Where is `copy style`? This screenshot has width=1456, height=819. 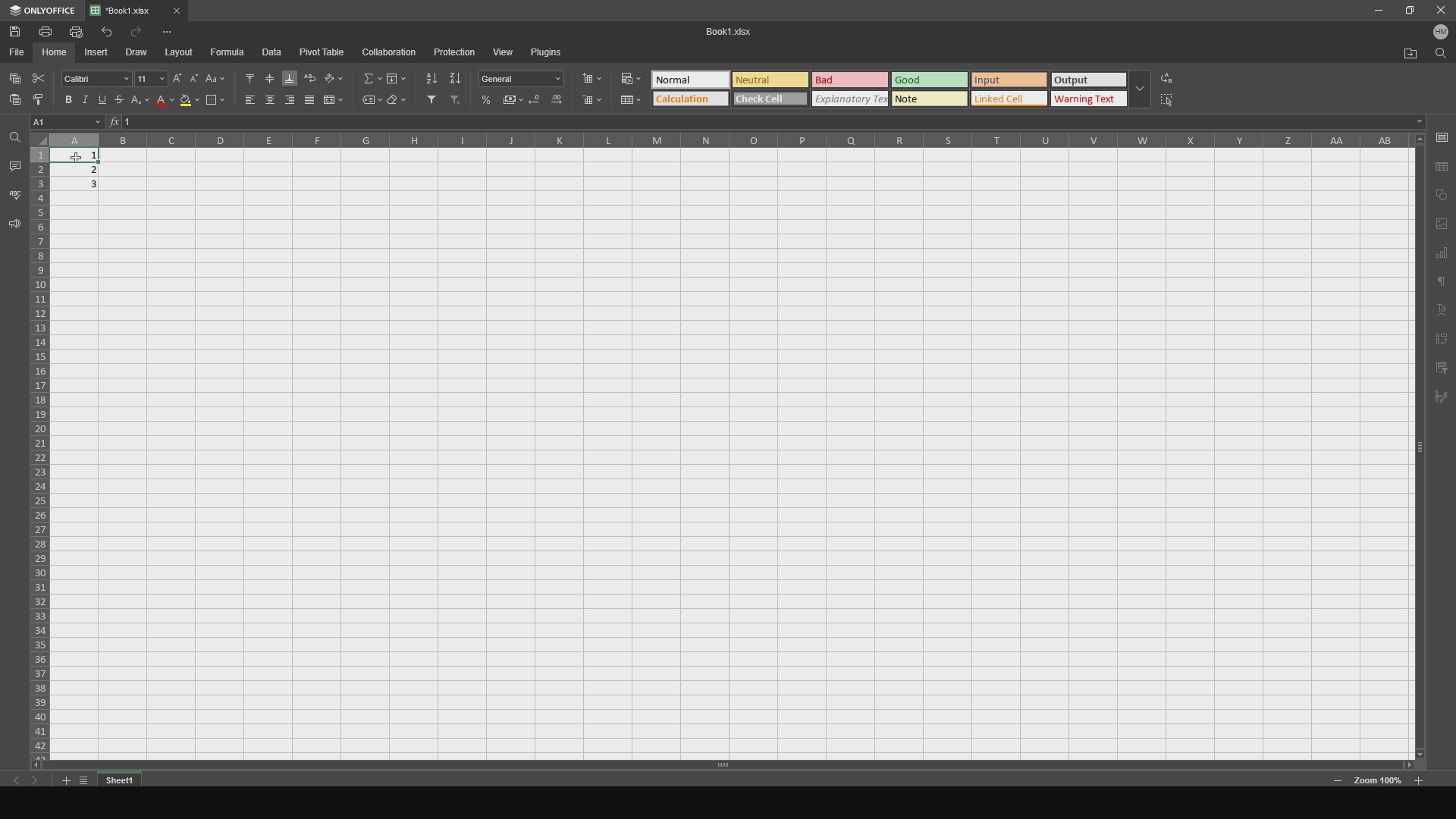
copy style is located at coordinates (39, 99).